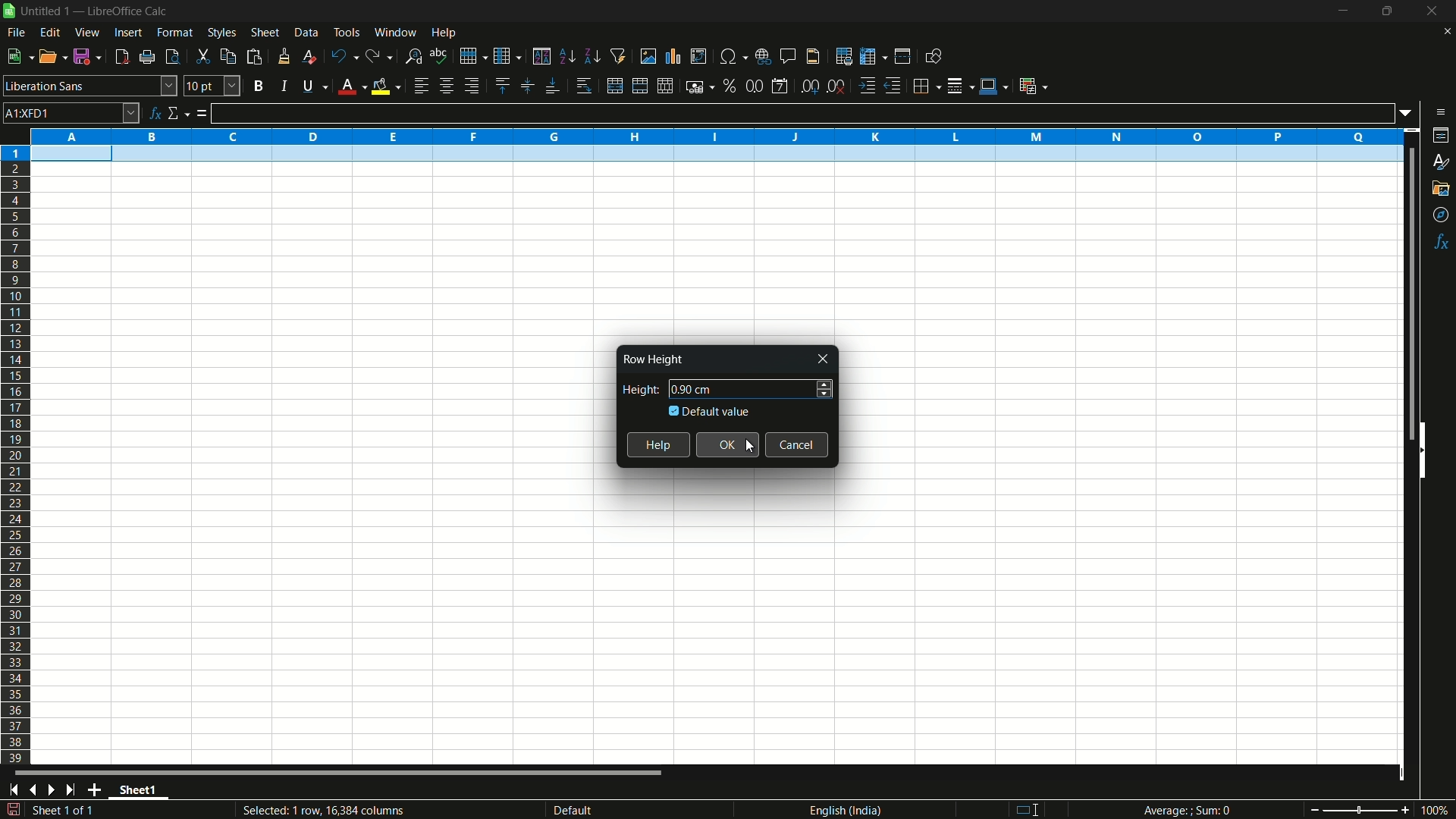 This screenshot has width=1456, height=819. What do you see at coordinates (814, 57) in the screenshot?
I see `header and footer` at bounding box center [814, 57].